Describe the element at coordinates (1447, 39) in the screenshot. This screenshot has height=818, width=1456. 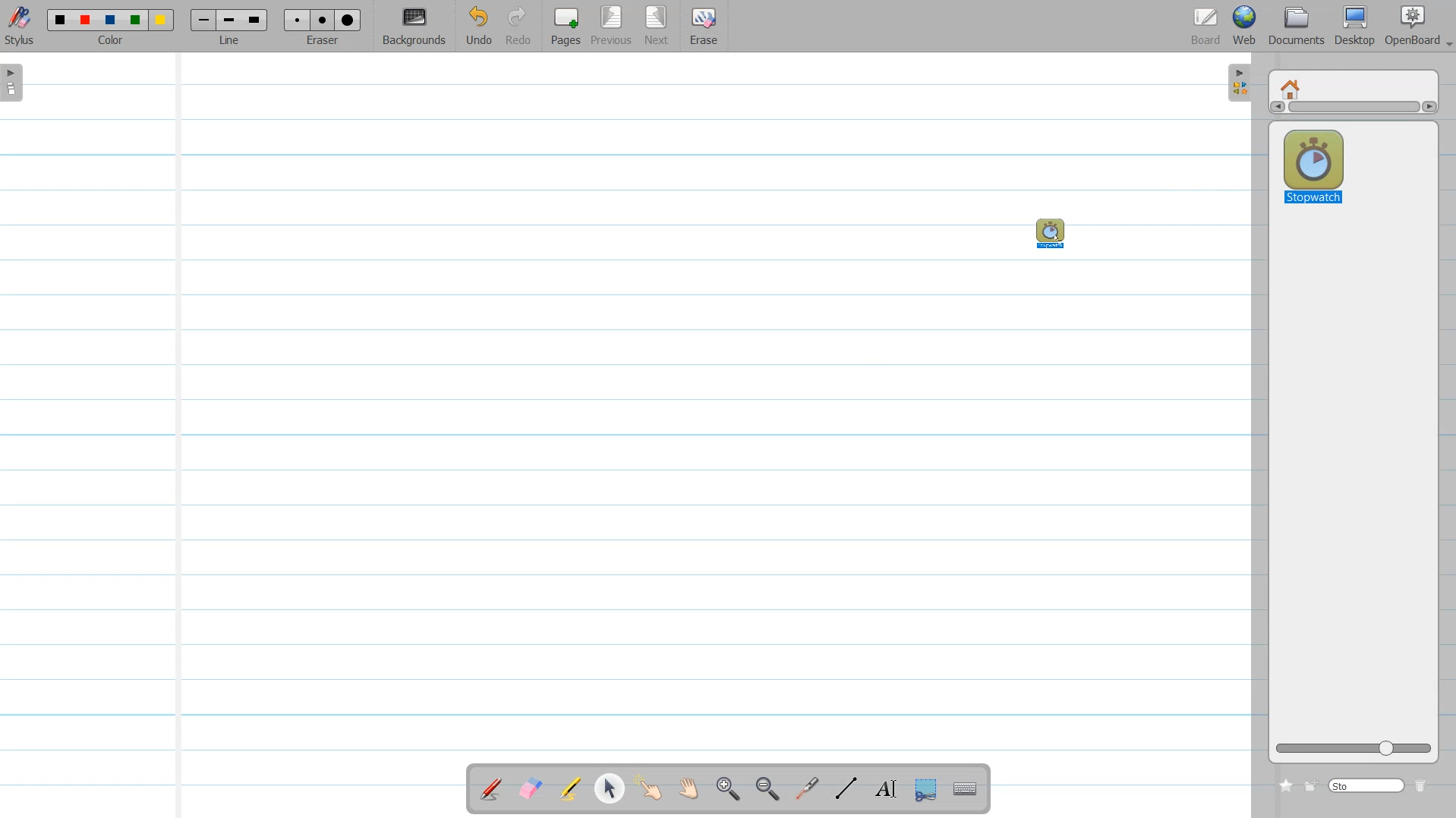
I see `Drop down box` at that location.